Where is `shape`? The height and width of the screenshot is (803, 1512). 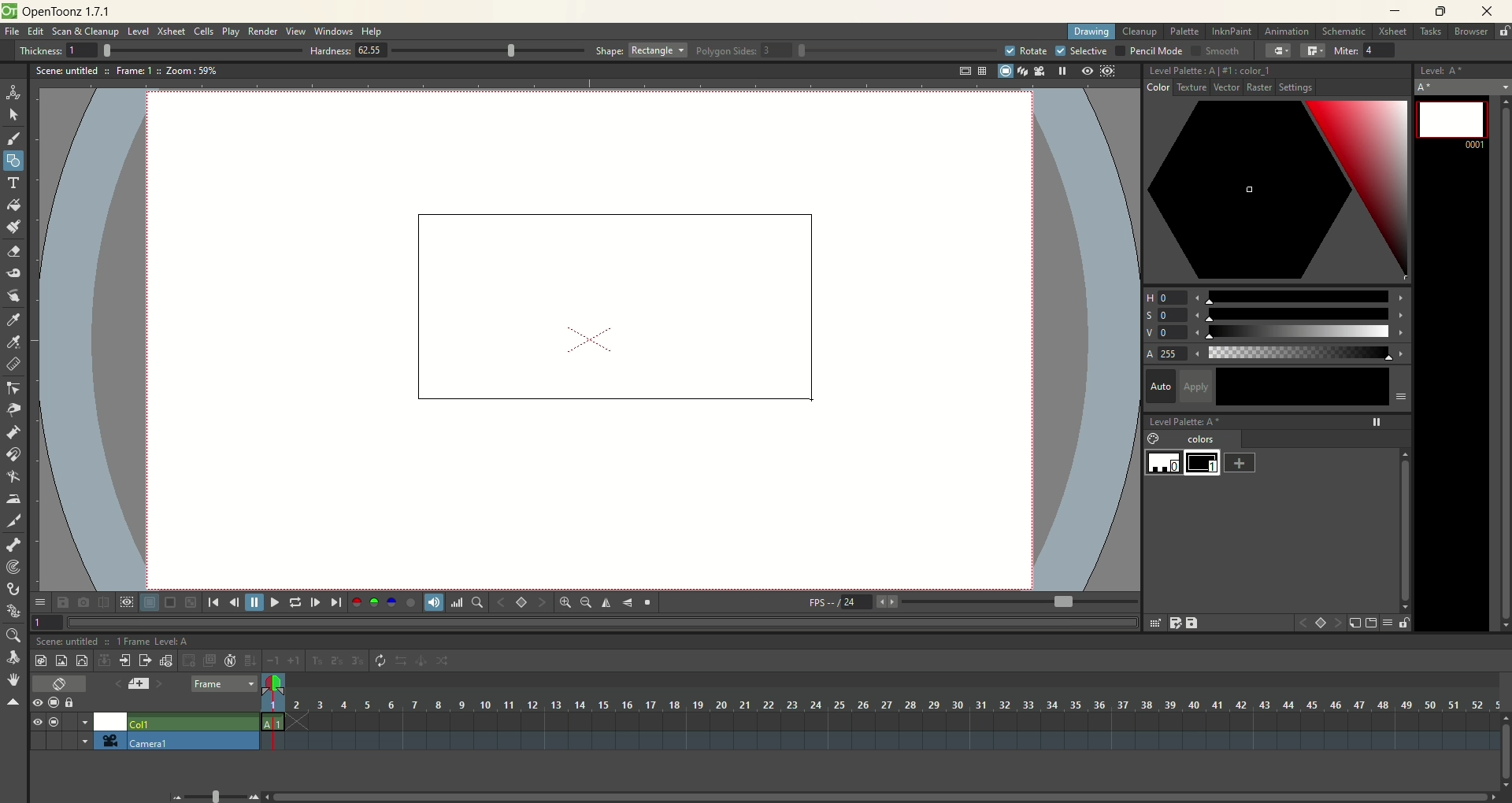 shape is located at coordinates (642, 50).